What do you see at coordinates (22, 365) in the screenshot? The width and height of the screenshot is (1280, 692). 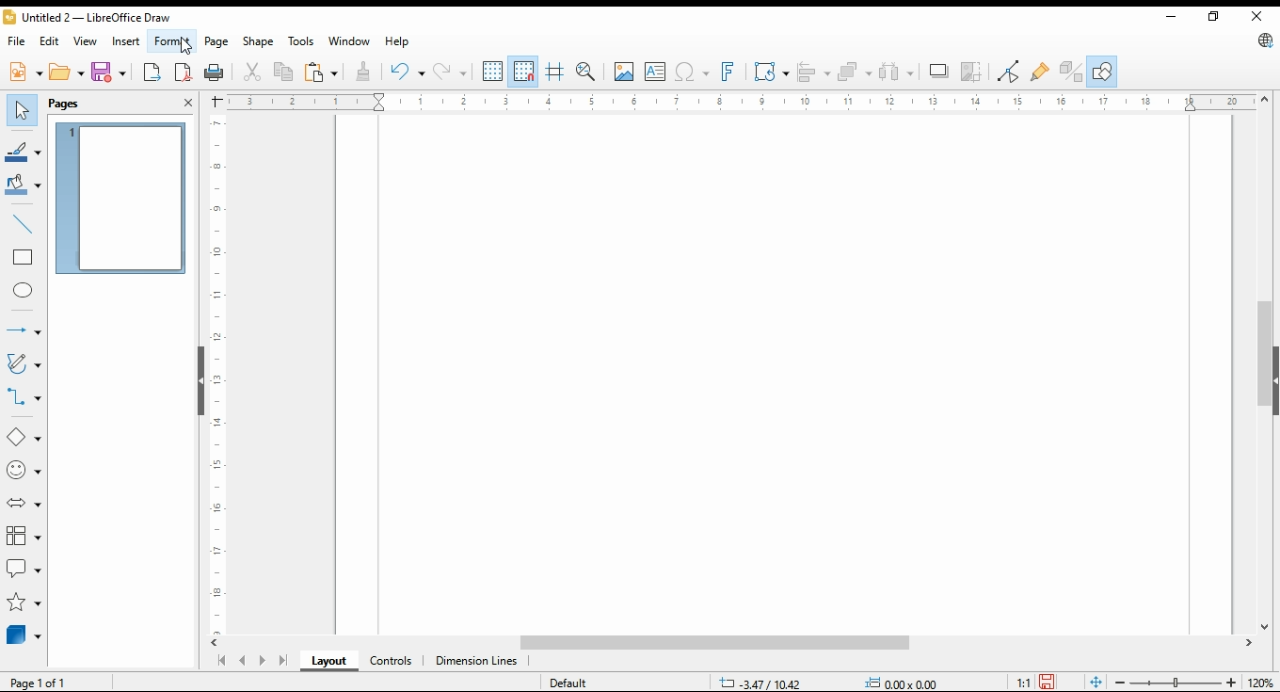 I see `curves and polygons` at bounding box center [22, 365].